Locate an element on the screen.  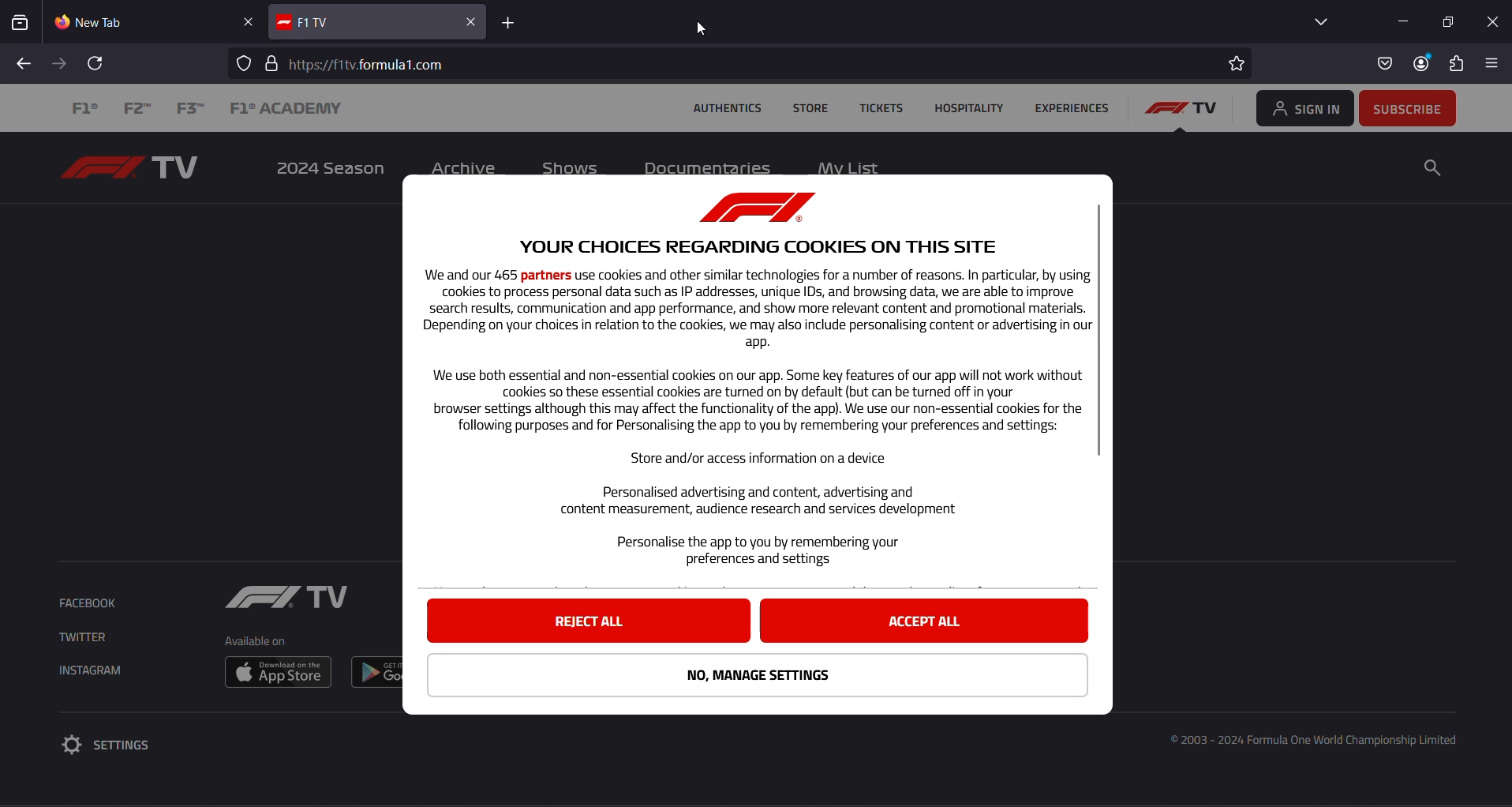
new tab is located at coordinates (140, 23).